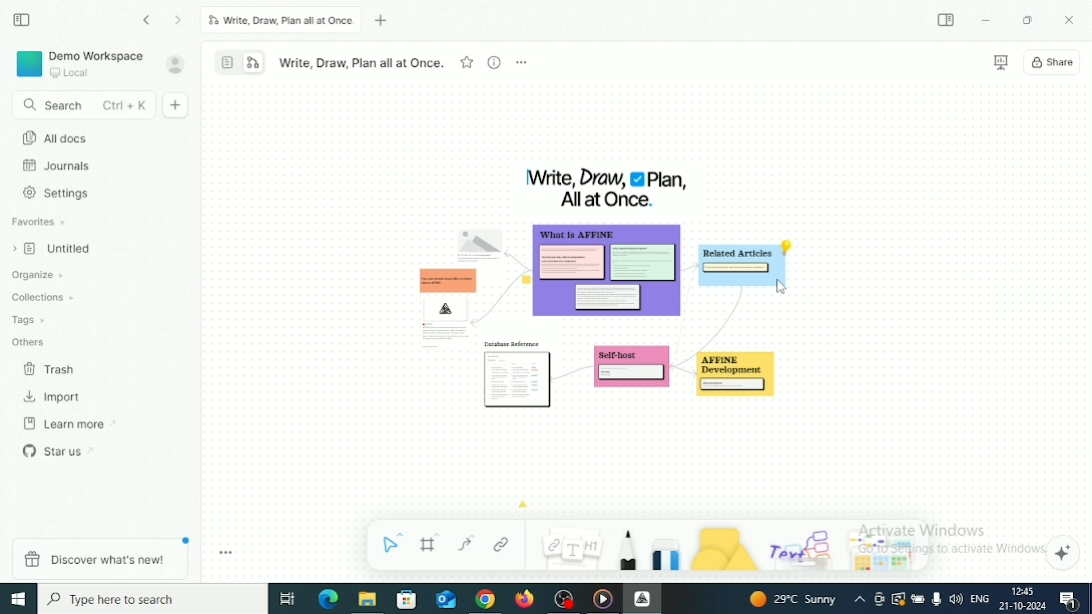  I want to click on Untitled, so click(57, 250).